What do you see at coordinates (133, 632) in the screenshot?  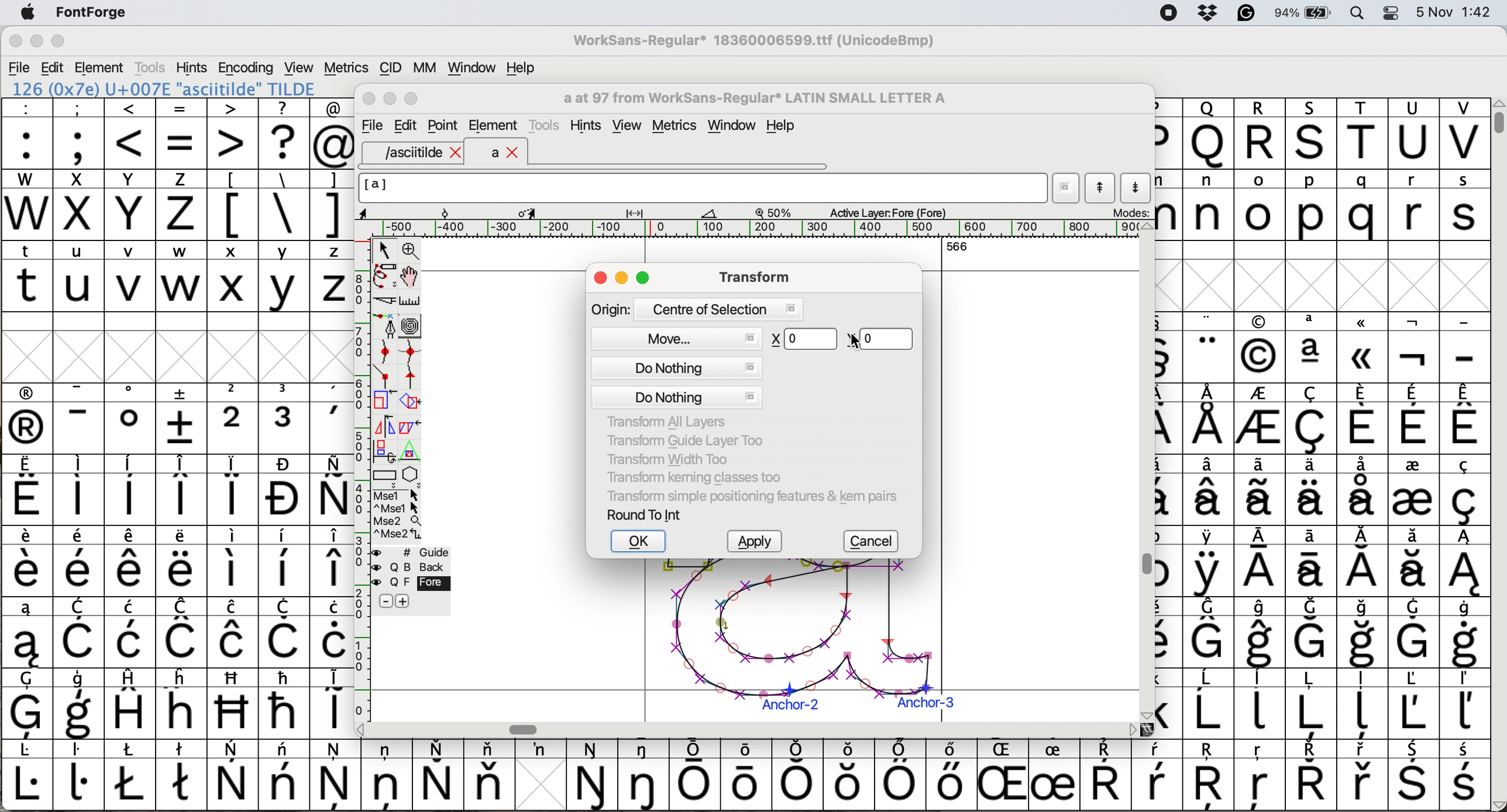 I see `symbol` at bounding box center [133, 632].